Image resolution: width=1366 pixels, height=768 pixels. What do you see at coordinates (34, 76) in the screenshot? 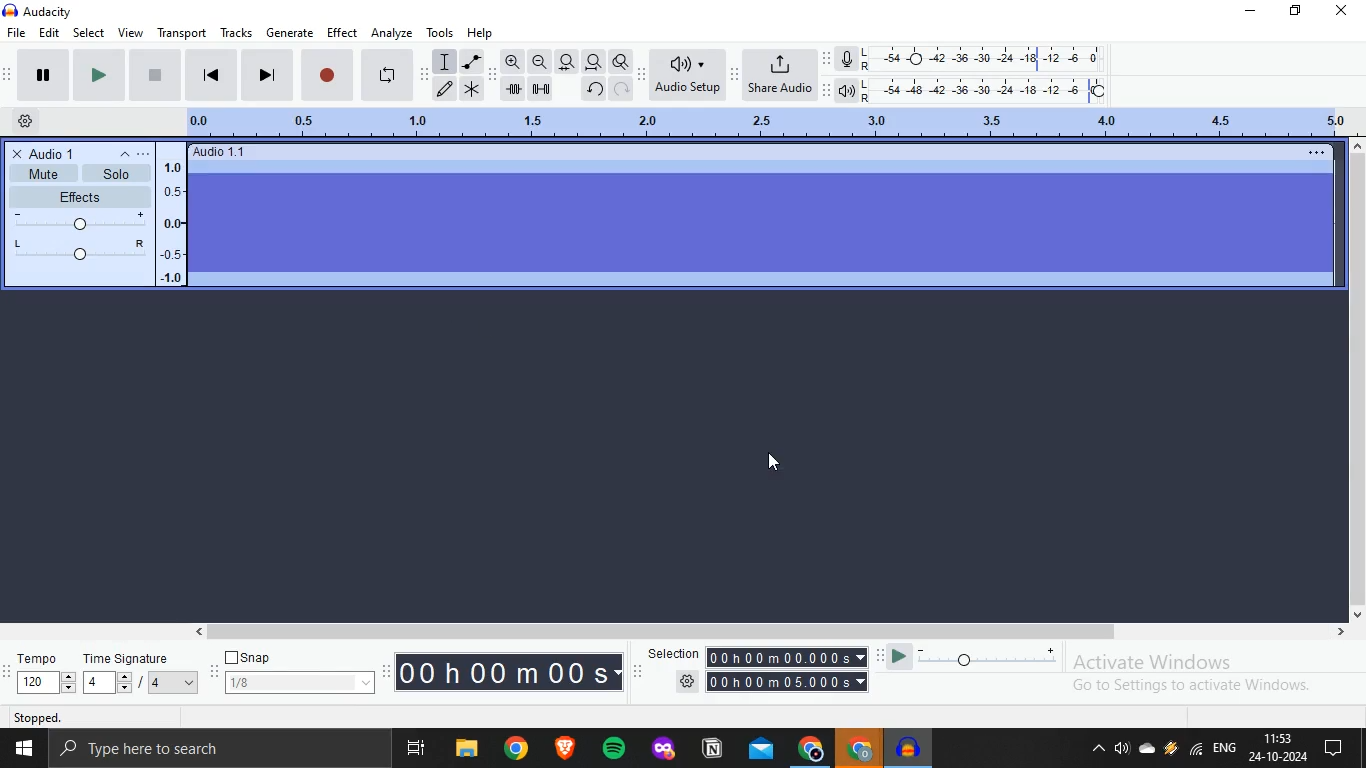
I see `Play` at bounding box center [34, 76].